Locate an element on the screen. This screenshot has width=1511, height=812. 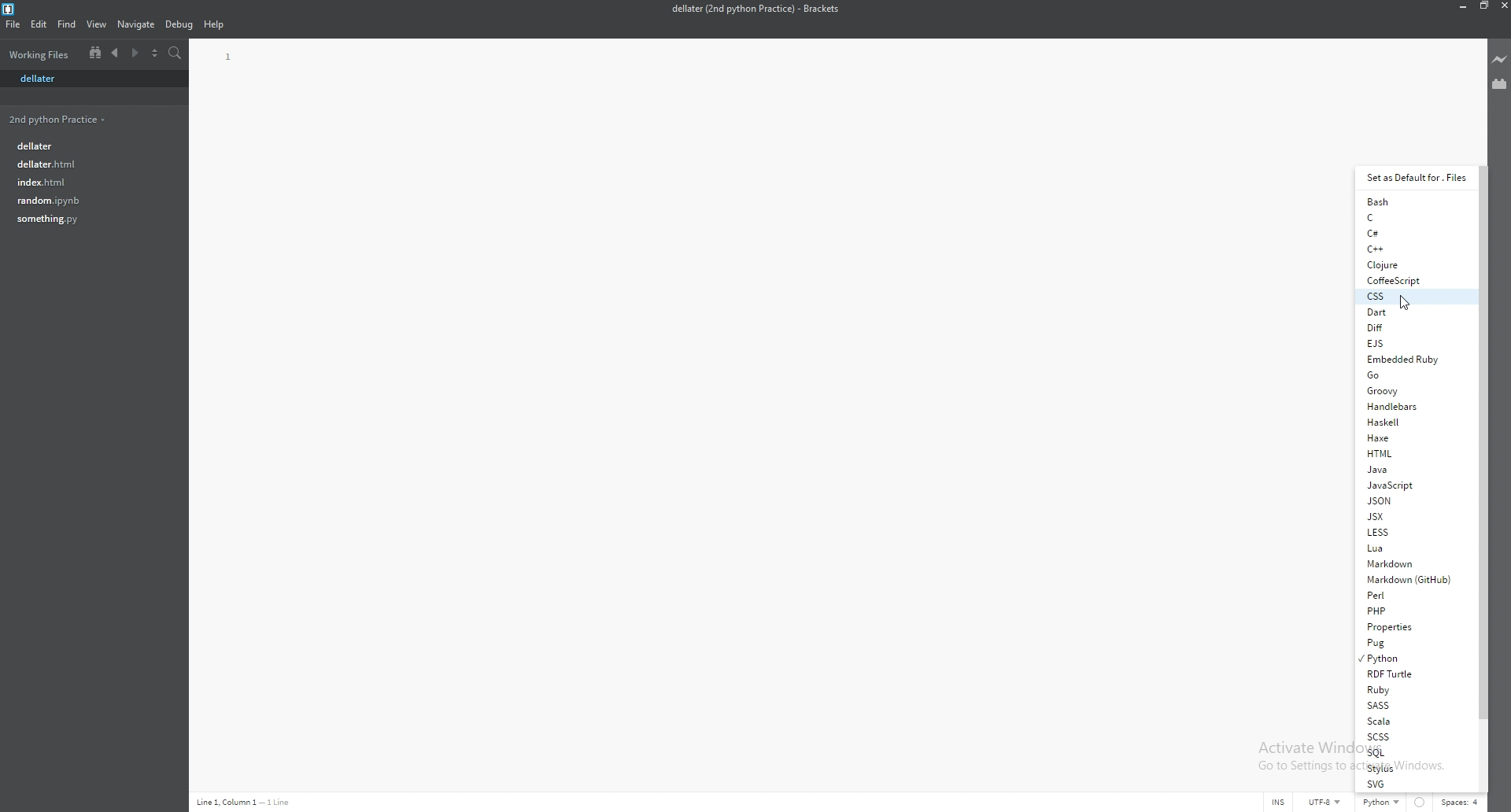
scala is located at coordinates (1411, 722).